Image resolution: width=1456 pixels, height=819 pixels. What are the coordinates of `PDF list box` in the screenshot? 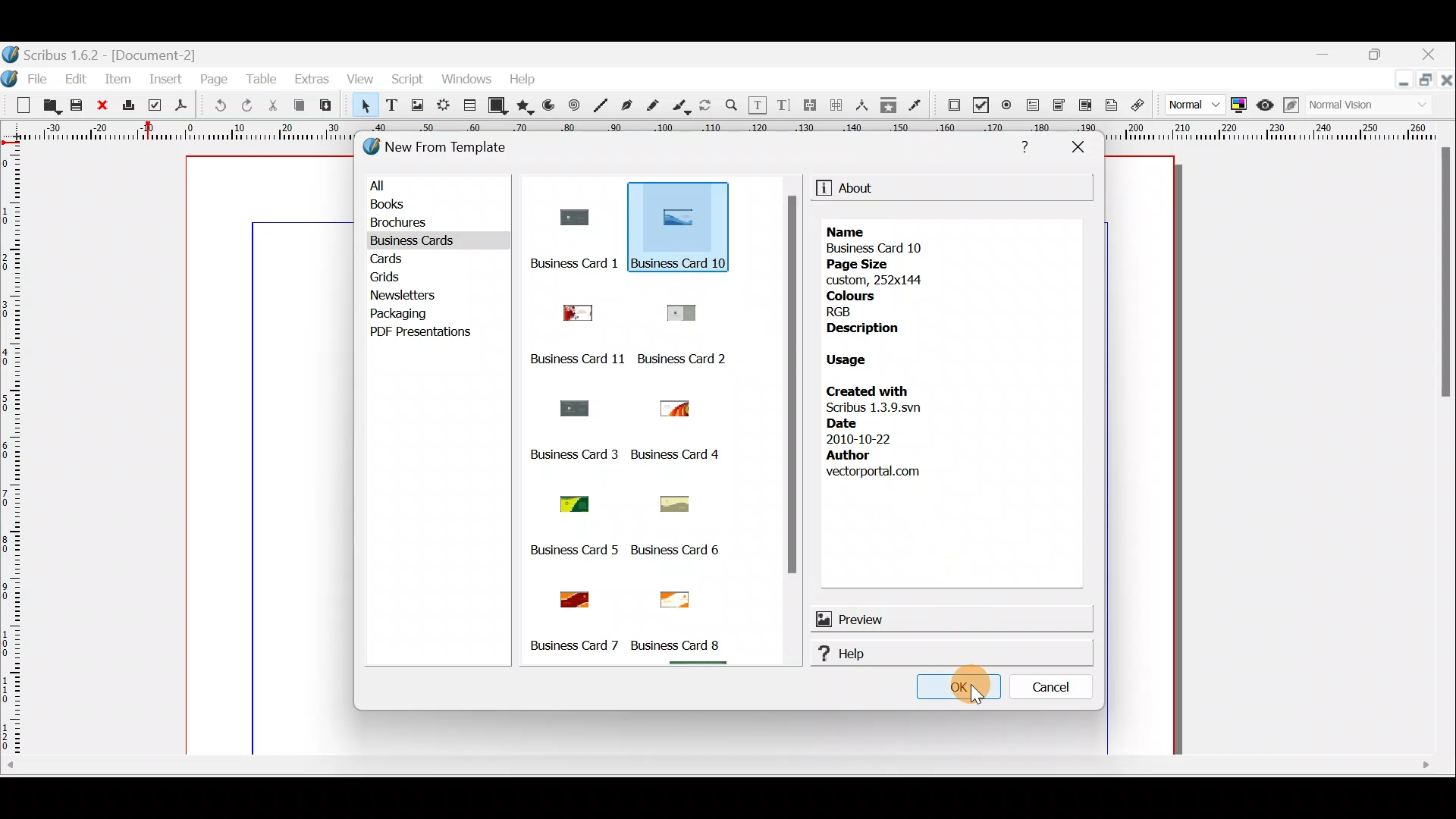 It's located at (1082, 107).